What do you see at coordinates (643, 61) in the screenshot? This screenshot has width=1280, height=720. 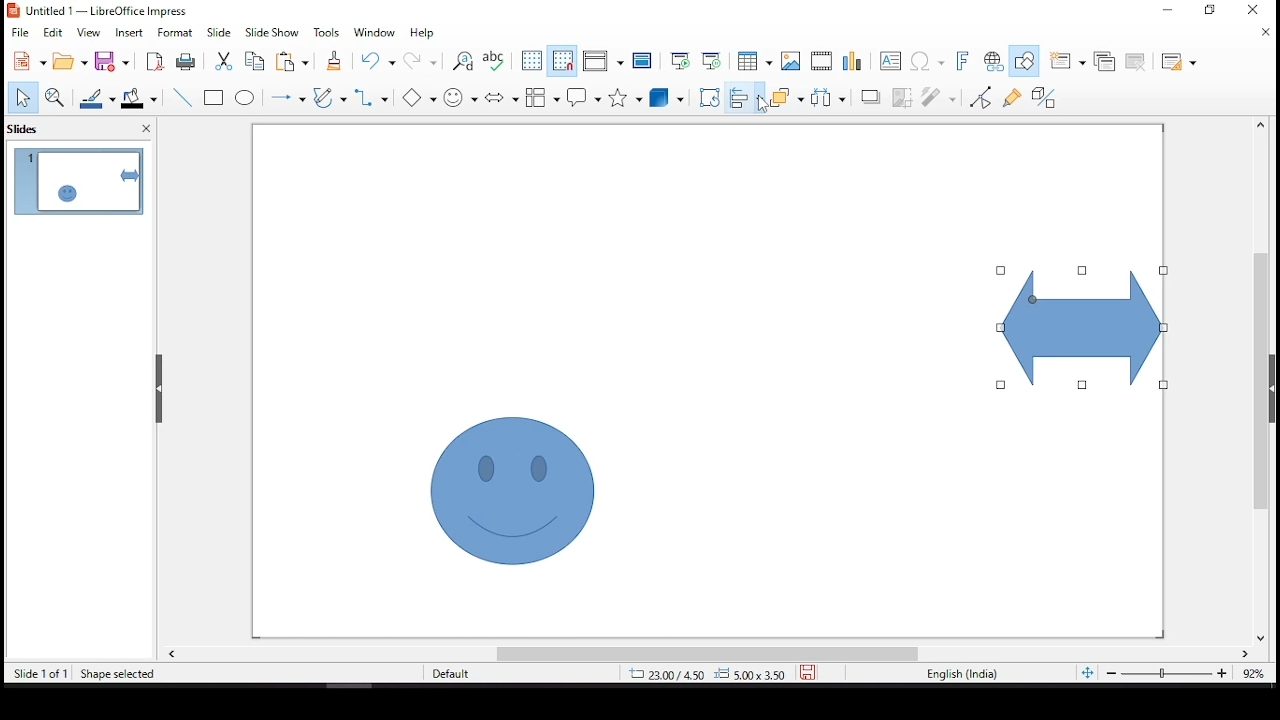 I see `master slide` at bounding box center [643, 61].